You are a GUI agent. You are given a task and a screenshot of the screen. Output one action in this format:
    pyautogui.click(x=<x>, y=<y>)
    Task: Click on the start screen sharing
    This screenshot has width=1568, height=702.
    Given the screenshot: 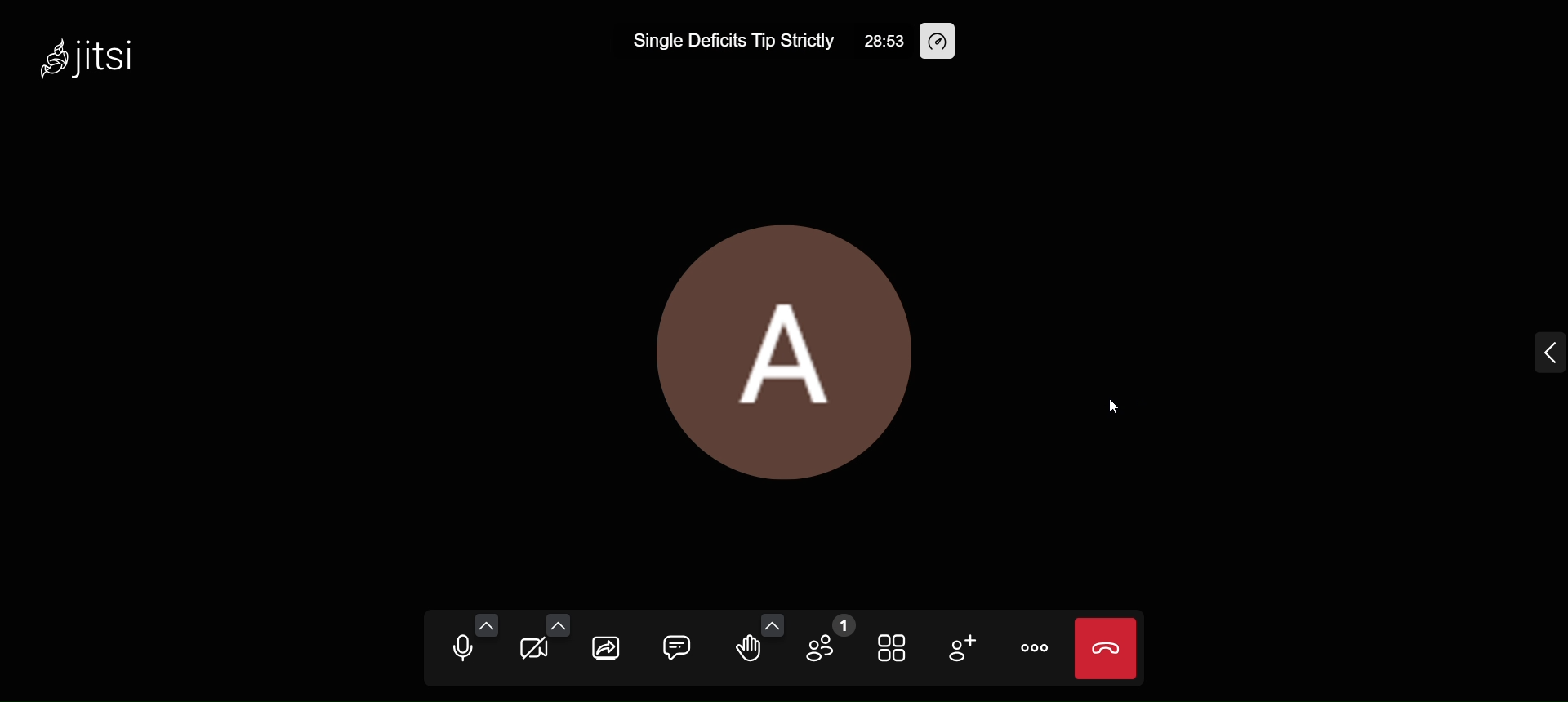 What is the action you would take?
    pyautogui.click(x=604, y=646)
    